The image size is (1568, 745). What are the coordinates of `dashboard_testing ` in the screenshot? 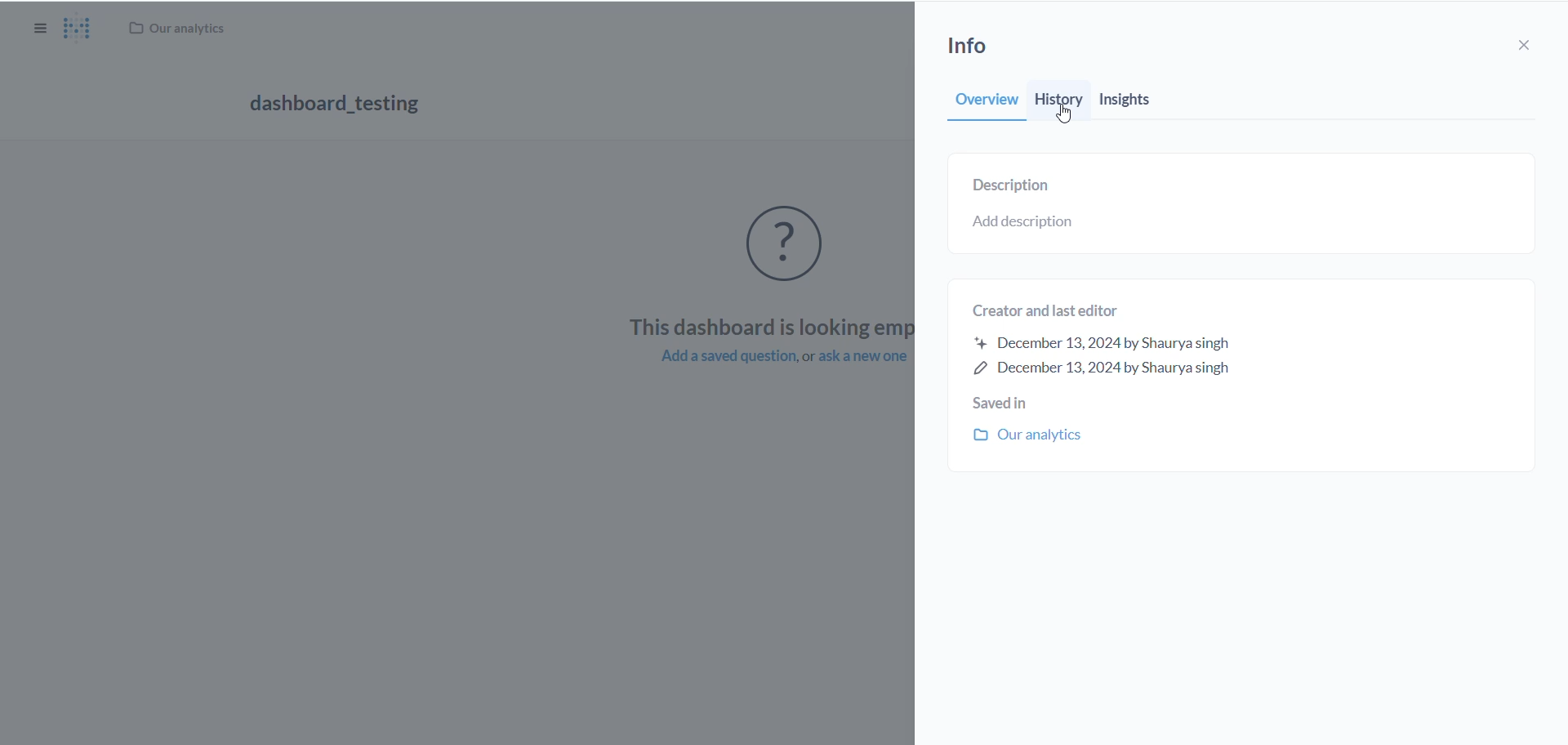 It's located at (336, 106).